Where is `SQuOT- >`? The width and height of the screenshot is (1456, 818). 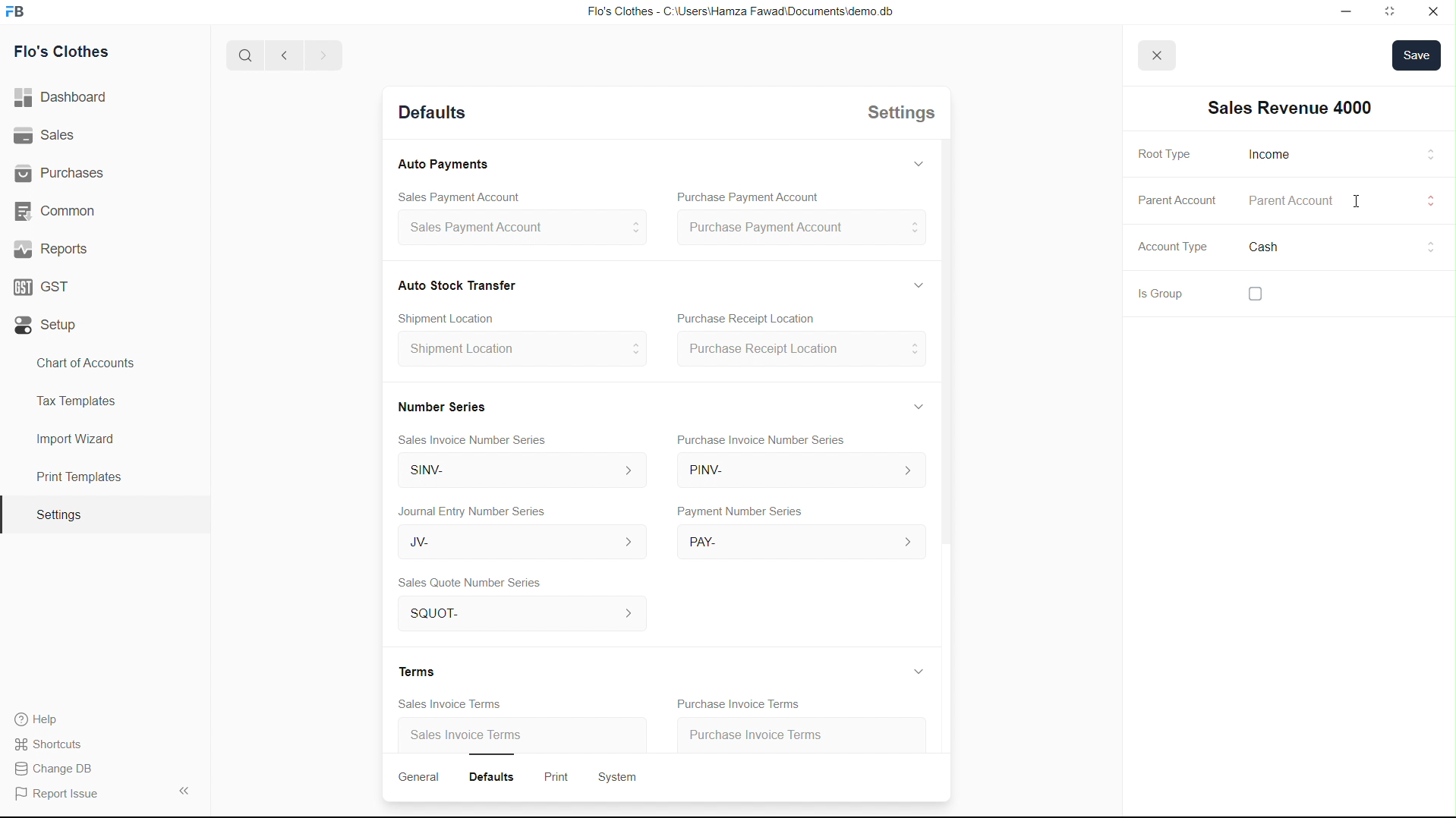 SQuOT- > is located at coordinates (517, 615).